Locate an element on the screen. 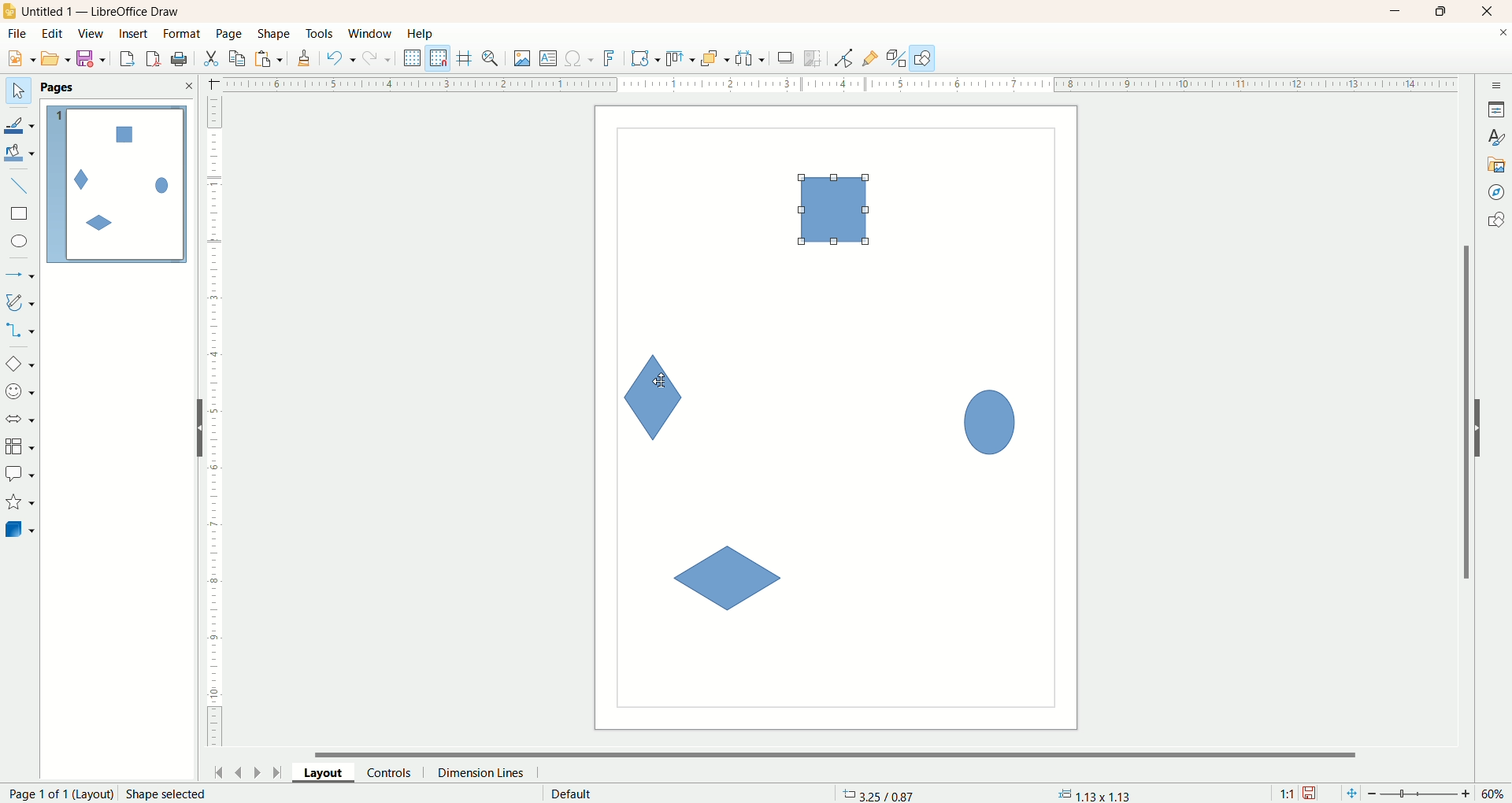 The height and width of the screenshot is (803, 1512). open is located at coordinates (56, 58).